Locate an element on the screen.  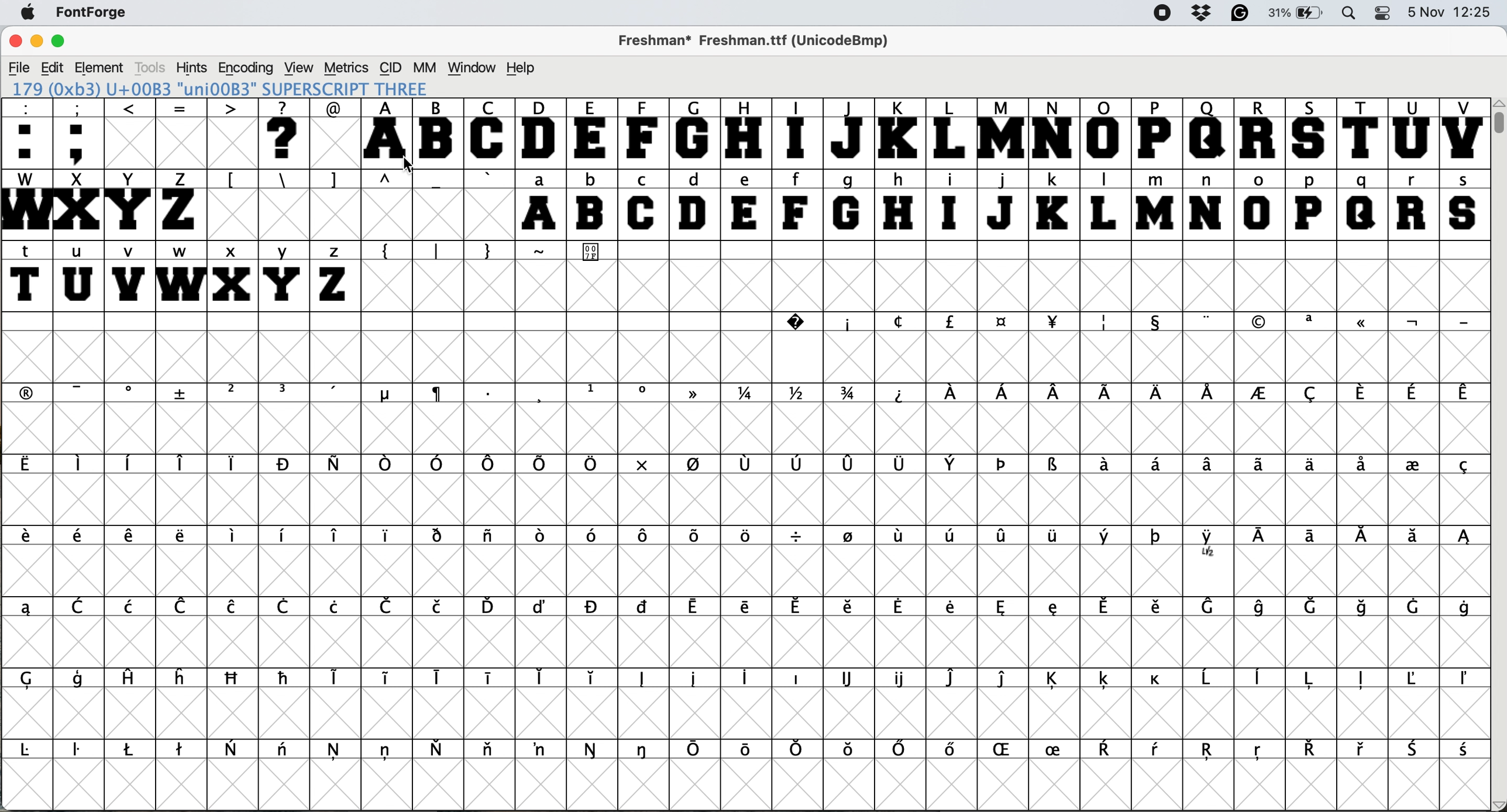
symbol is located at coordinates (285, 677).